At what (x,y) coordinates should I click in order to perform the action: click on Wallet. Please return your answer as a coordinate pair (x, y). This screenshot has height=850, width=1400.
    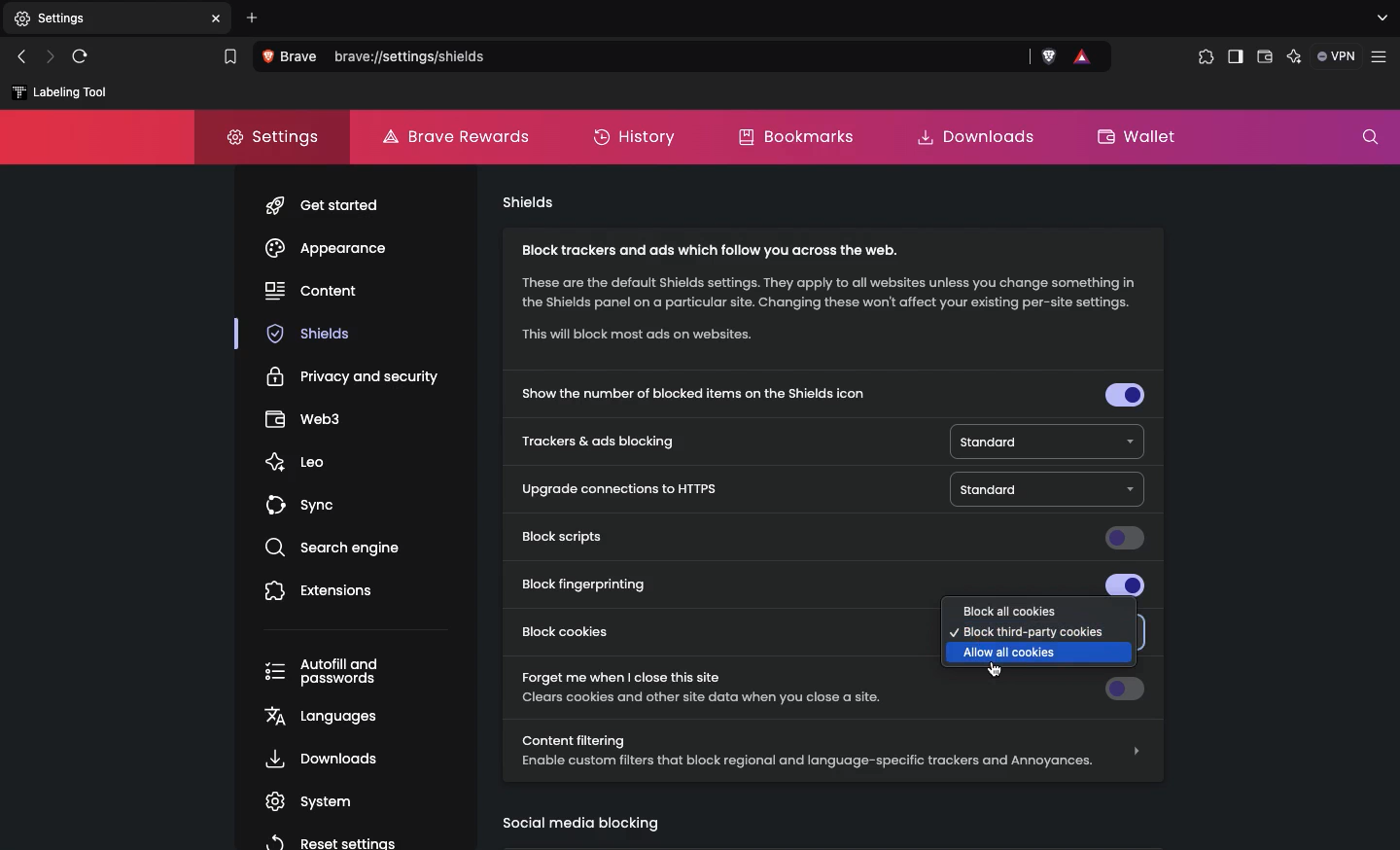
    Looking at the image, I should click on (1265, 58).